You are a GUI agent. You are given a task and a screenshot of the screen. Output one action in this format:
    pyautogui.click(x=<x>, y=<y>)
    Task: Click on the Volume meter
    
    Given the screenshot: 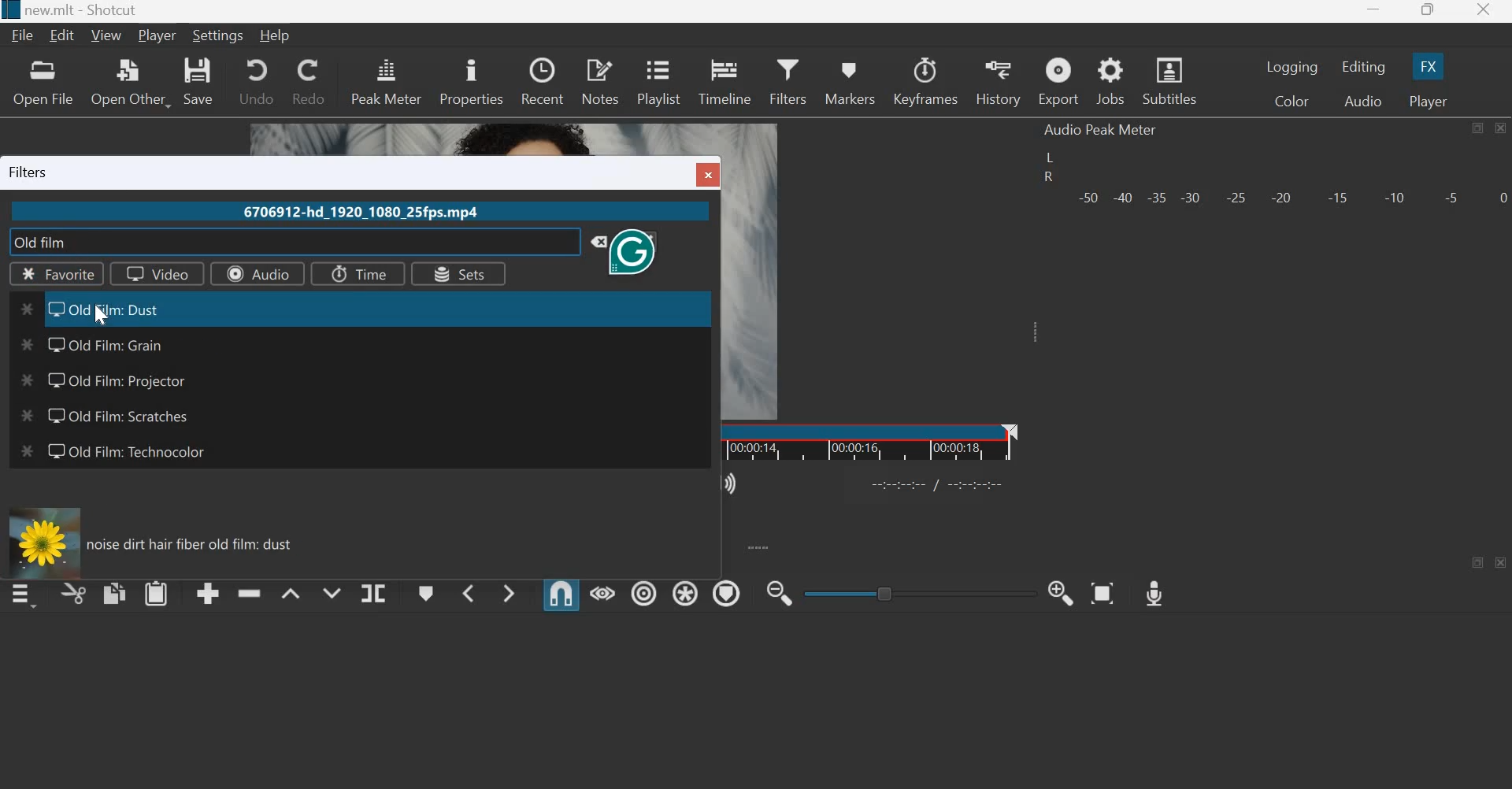 What is the action you would take?
    pyautogui.click(x=1291, y=195)
    